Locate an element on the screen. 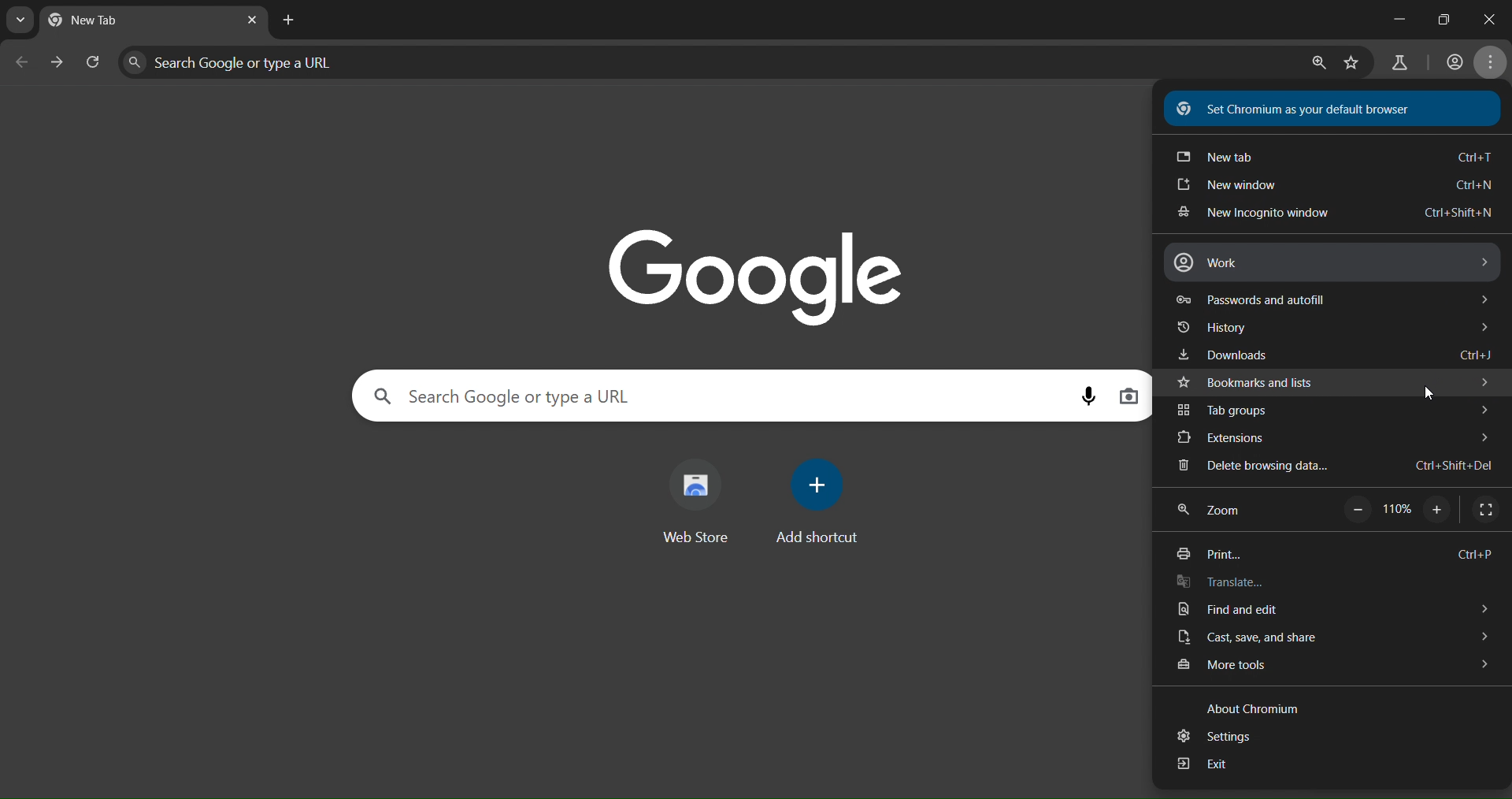 This screenshot has height=799, width=1512. print is located at coordinates (1334, 548).